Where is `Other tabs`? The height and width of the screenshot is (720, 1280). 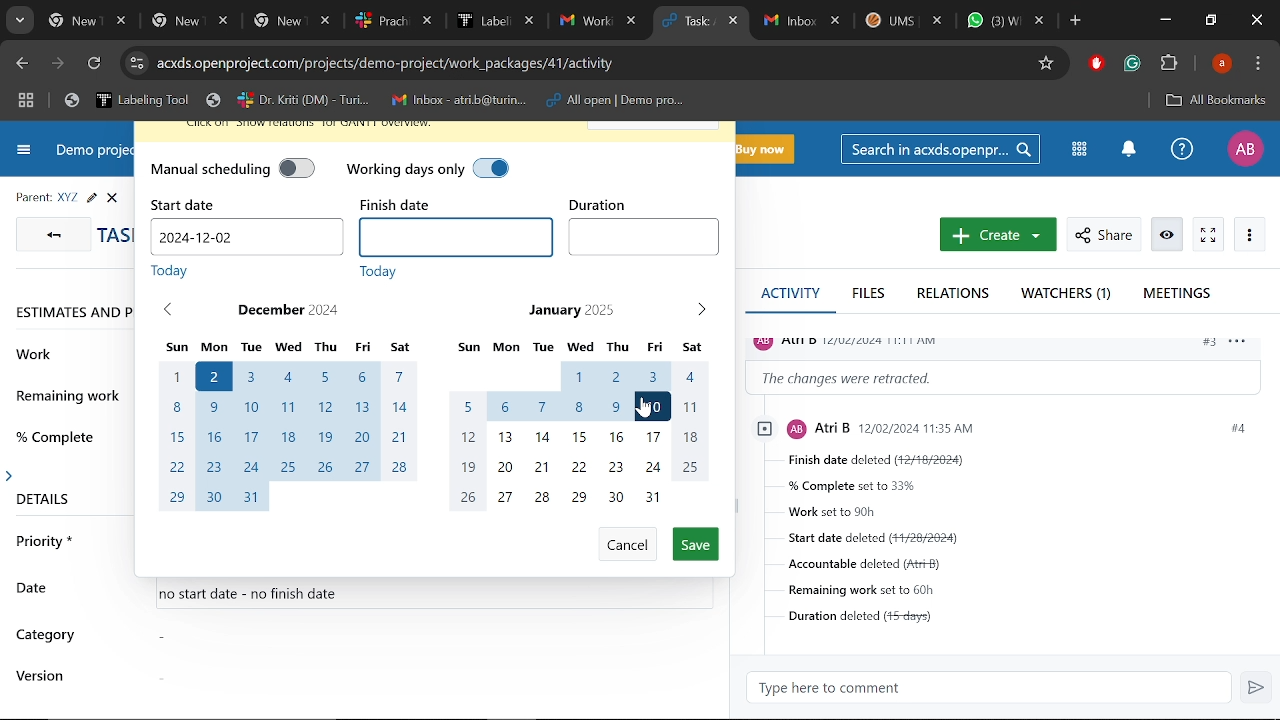 Other tabs is located at coordinates (344, 21).